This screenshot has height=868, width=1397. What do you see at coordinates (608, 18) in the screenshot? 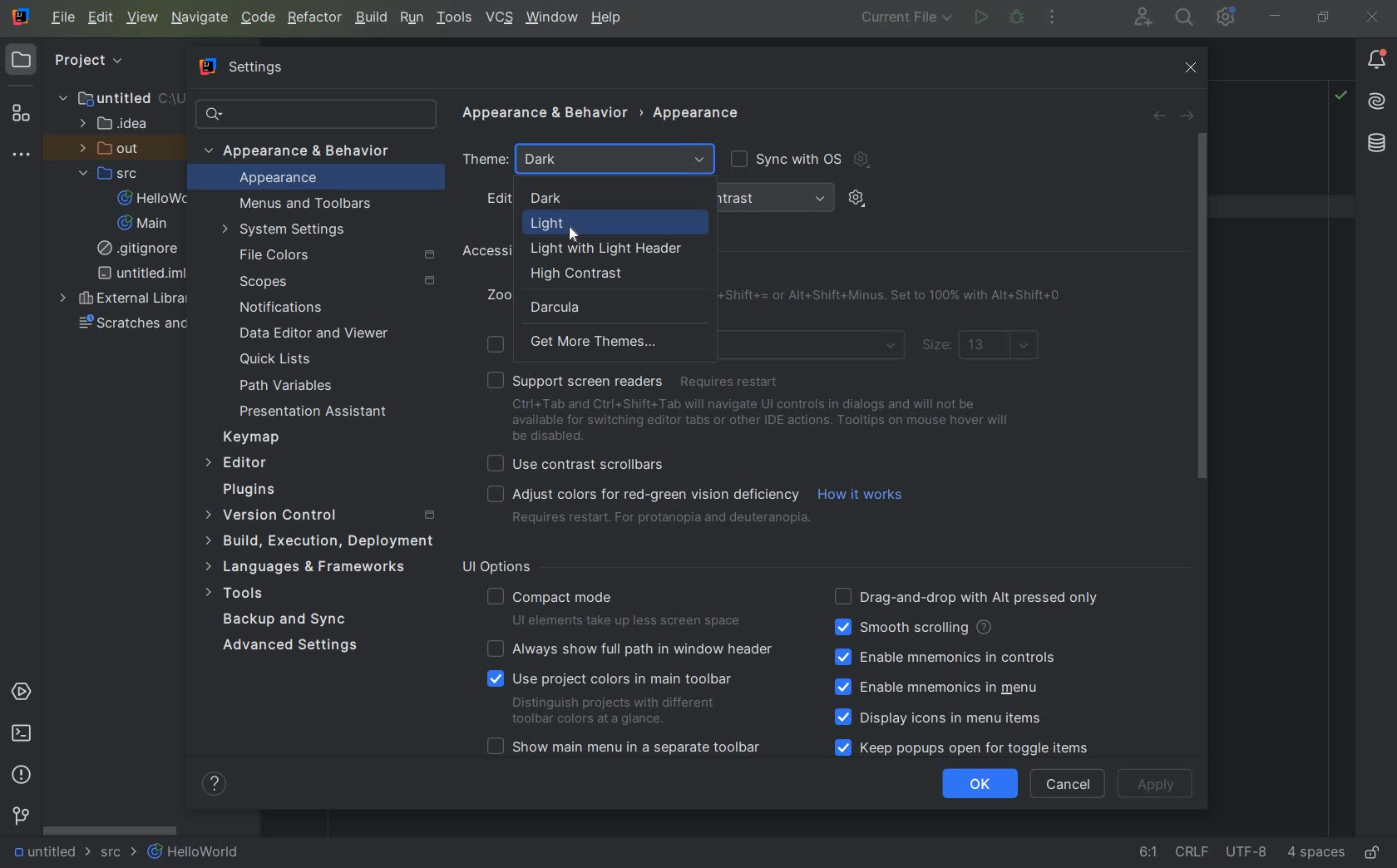
I see `HELP` at bounding box center [608, 18].